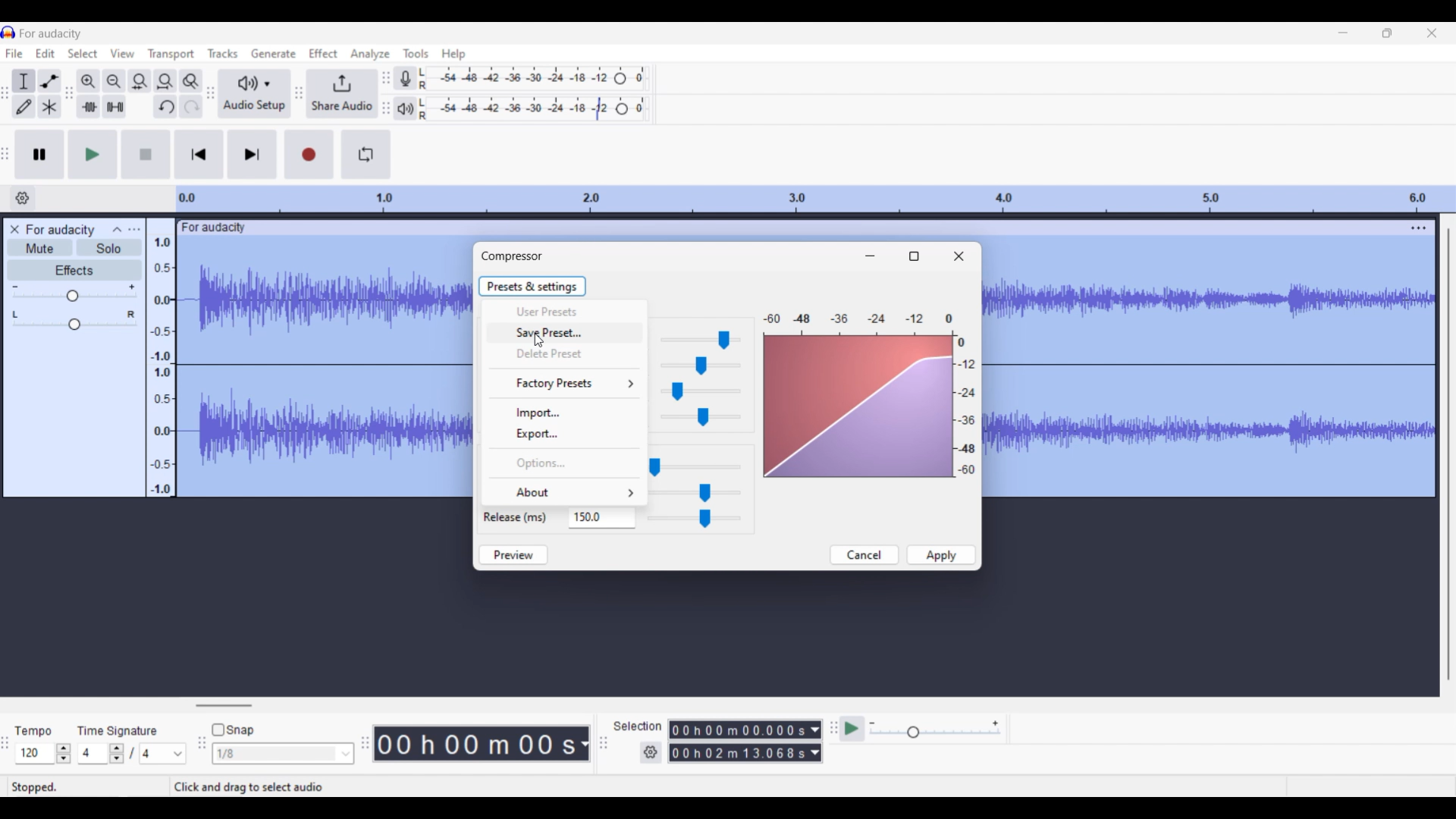  Describe the element at coordinates (565, 491) in the screenshot. I see `About` at that location.